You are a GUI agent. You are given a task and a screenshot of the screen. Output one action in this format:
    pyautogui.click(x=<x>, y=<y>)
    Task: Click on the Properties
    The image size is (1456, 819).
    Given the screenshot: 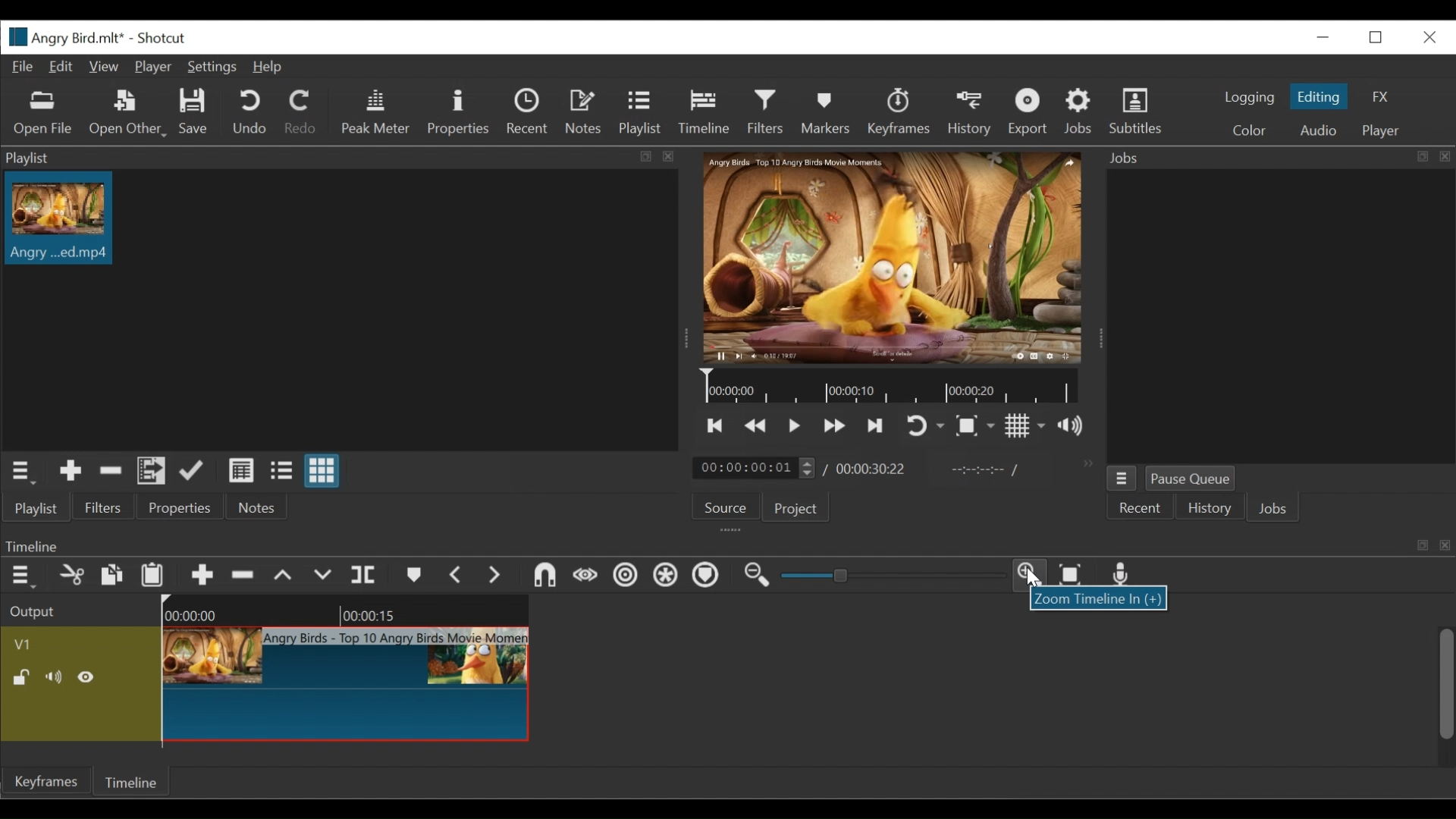 What is the action you would take?
    pyautogui.click(x=461, y=112)
    